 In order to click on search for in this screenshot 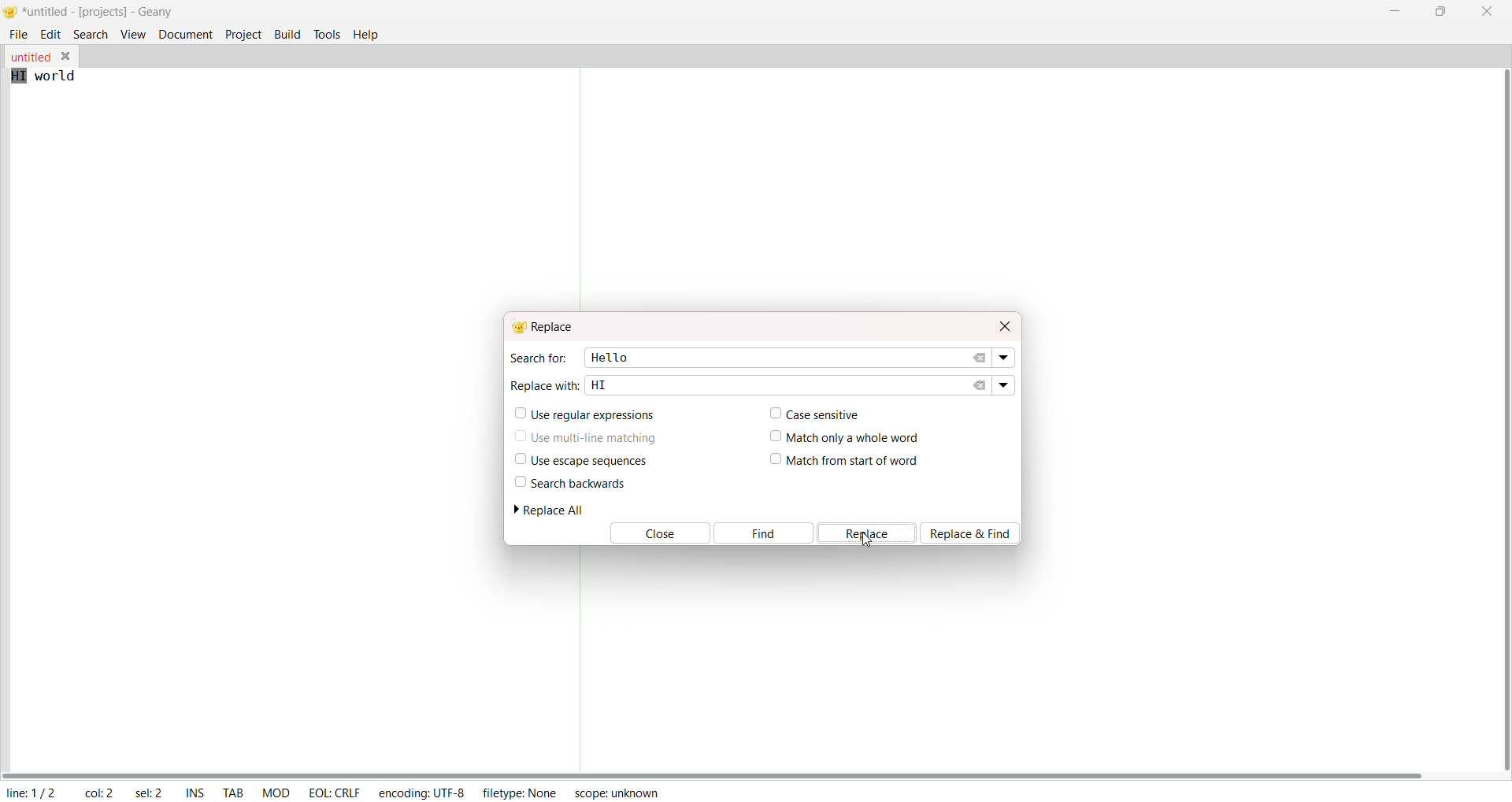, I will do `click(537, 358)`.